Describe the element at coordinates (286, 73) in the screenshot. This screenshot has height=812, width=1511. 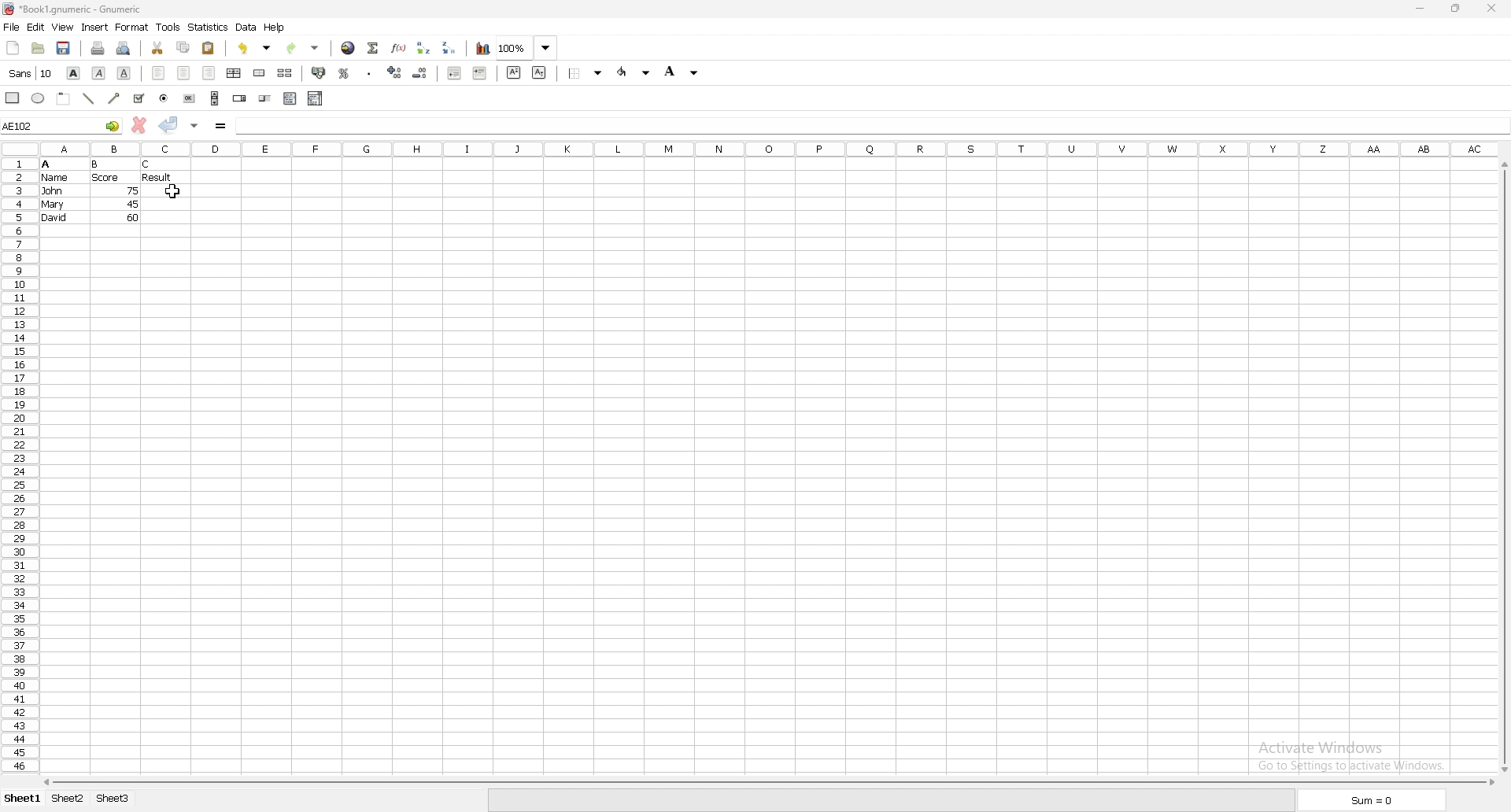
I see `split merged cell` at that location.